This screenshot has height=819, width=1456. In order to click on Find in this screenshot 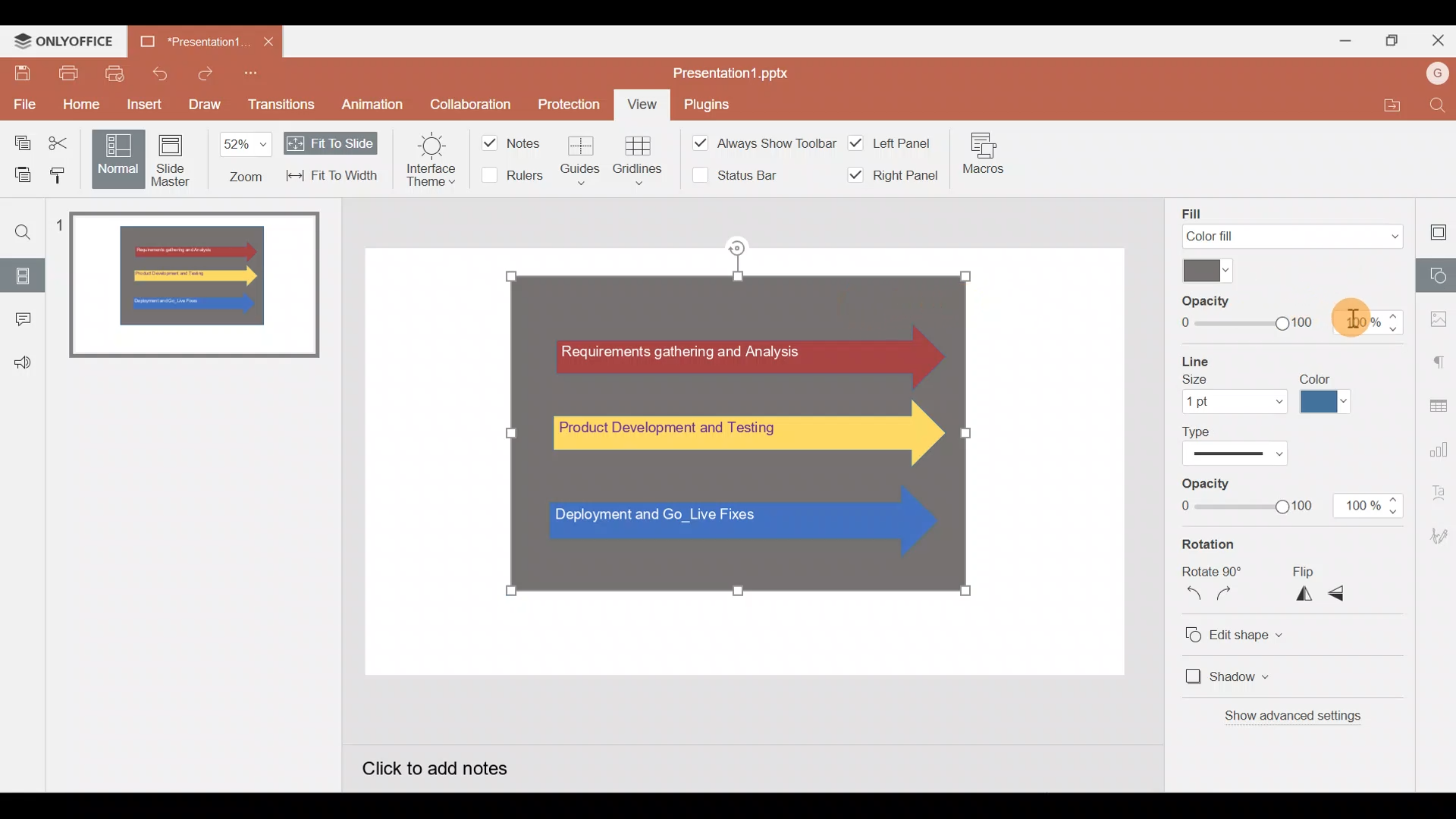, I will do `click(1437, 105)`.